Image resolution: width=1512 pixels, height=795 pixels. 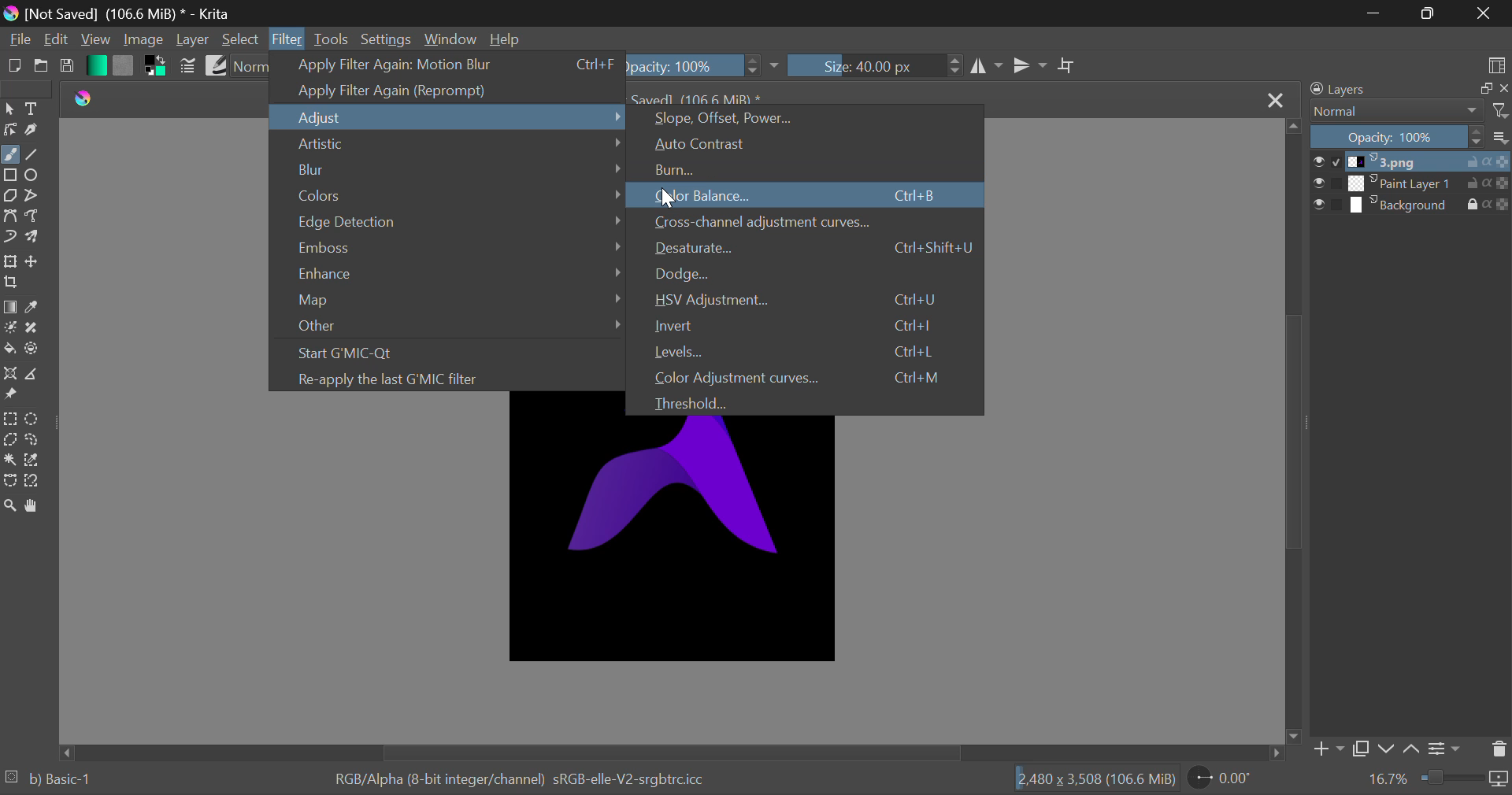 I want to click on Image, so click(x=140, y=39).